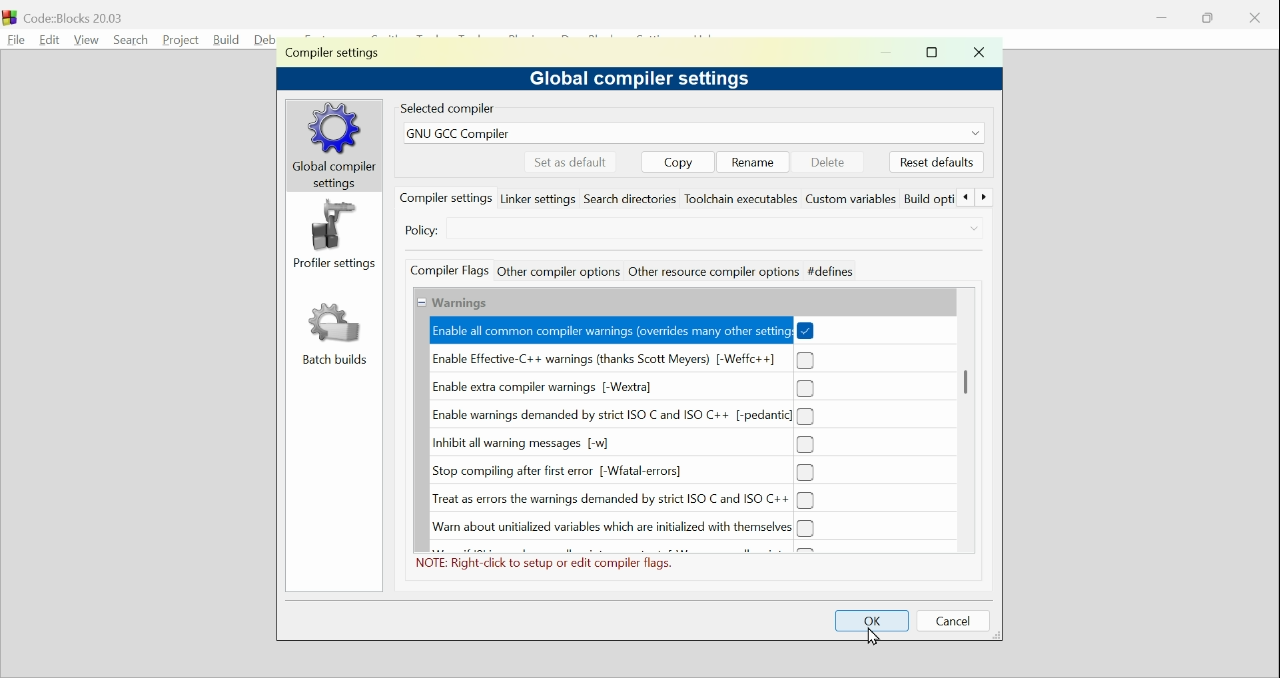  What do you see at coordinates (624, 331) in the screenshot?
I see `(un)check Enable all common compiler warnings` at bounding box center [624, 331].